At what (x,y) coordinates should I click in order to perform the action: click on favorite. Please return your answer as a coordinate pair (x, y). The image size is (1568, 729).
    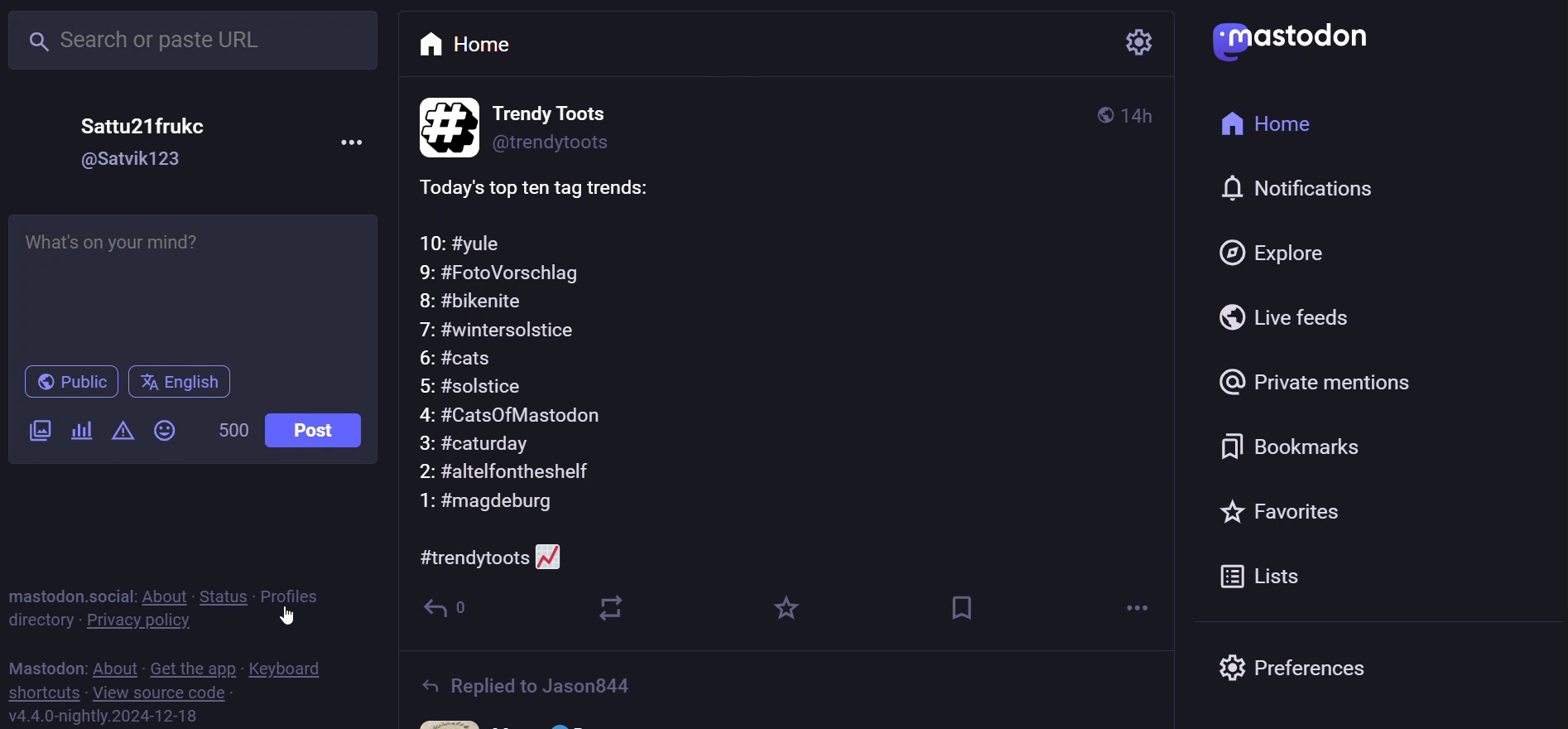
    Looking at the image, I should click on (786, 611).